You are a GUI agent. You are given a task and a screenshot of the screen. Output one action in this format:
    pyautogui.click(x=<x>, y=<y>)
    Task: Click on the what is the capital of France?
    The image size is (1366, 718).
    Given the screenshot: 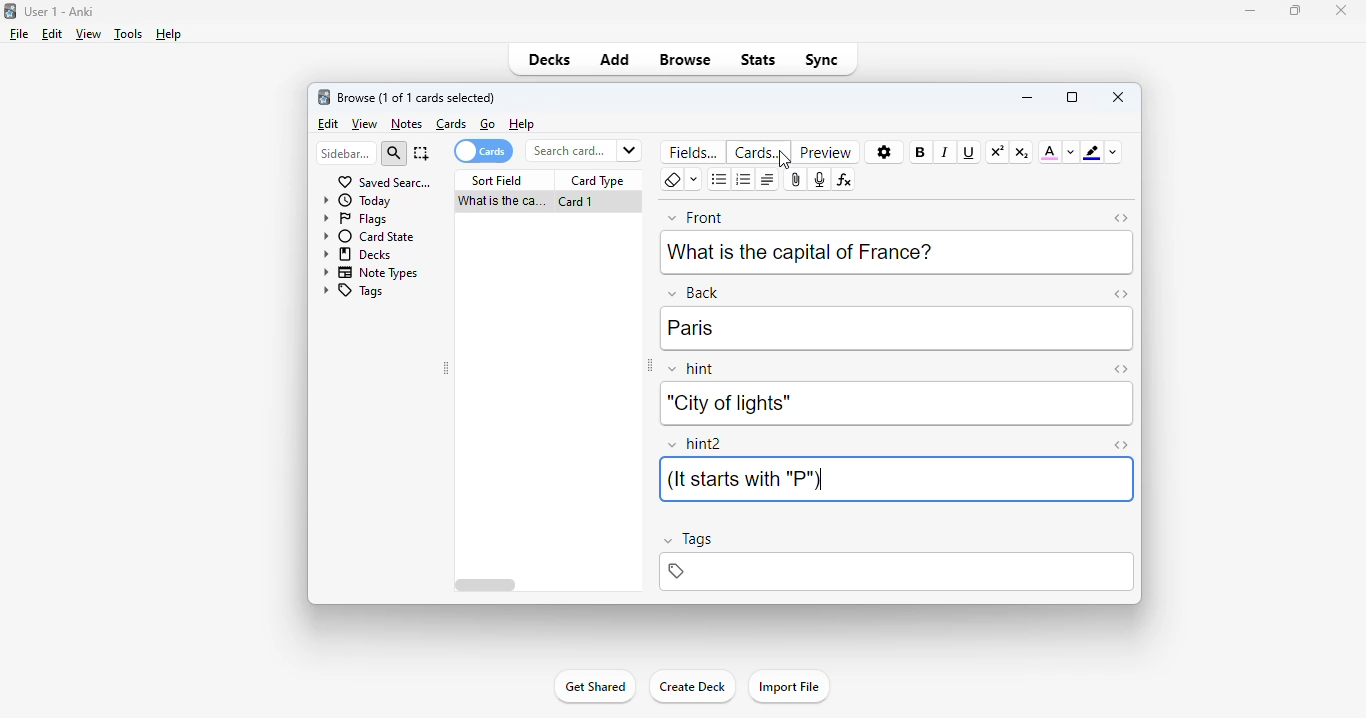 What is the action you would take?
    pyautogui.click(x=499, y=202)
    